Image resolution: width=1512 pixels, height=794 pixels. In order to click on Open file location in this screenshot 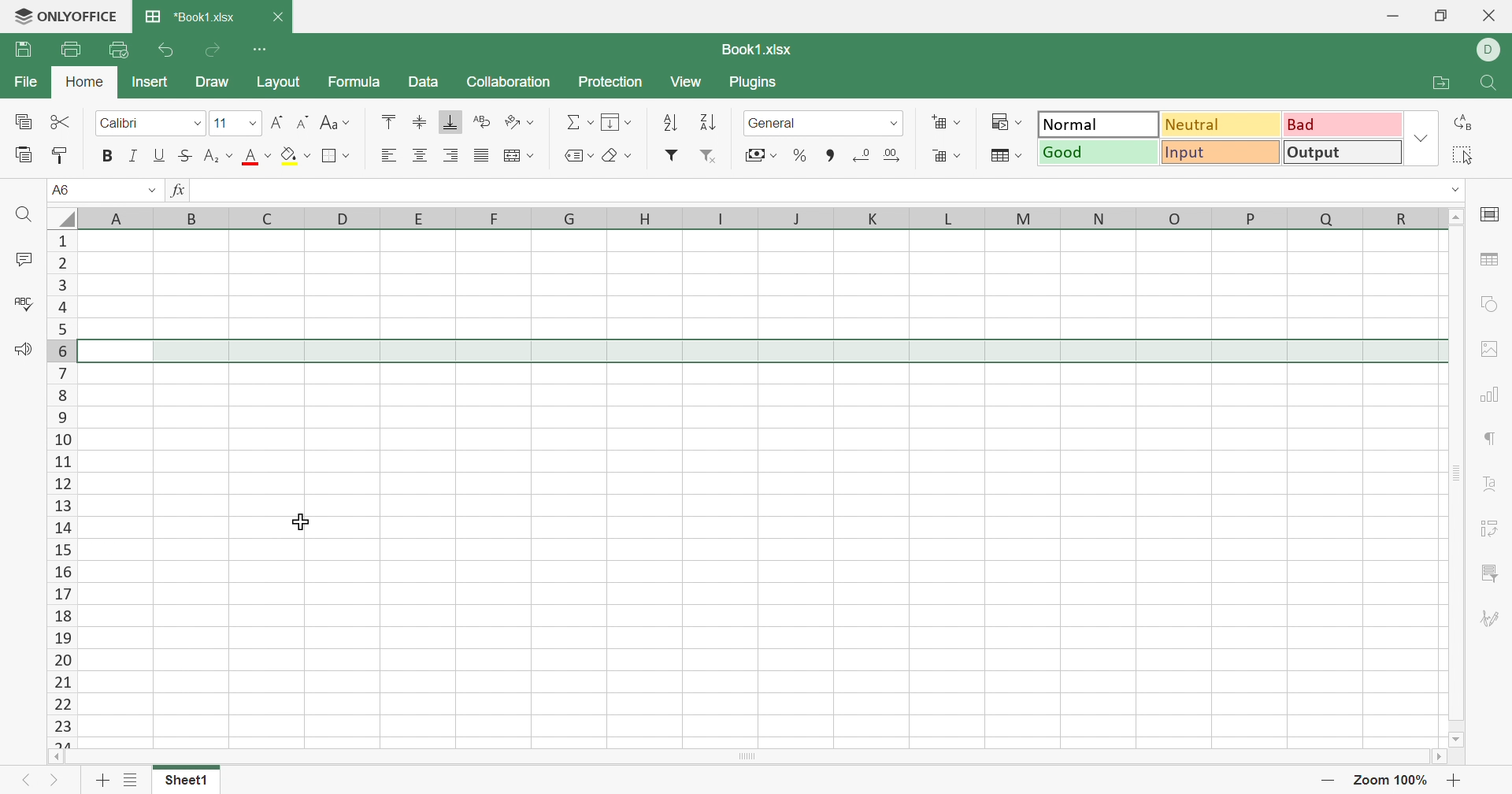, I will do `click(1440, 84)`.